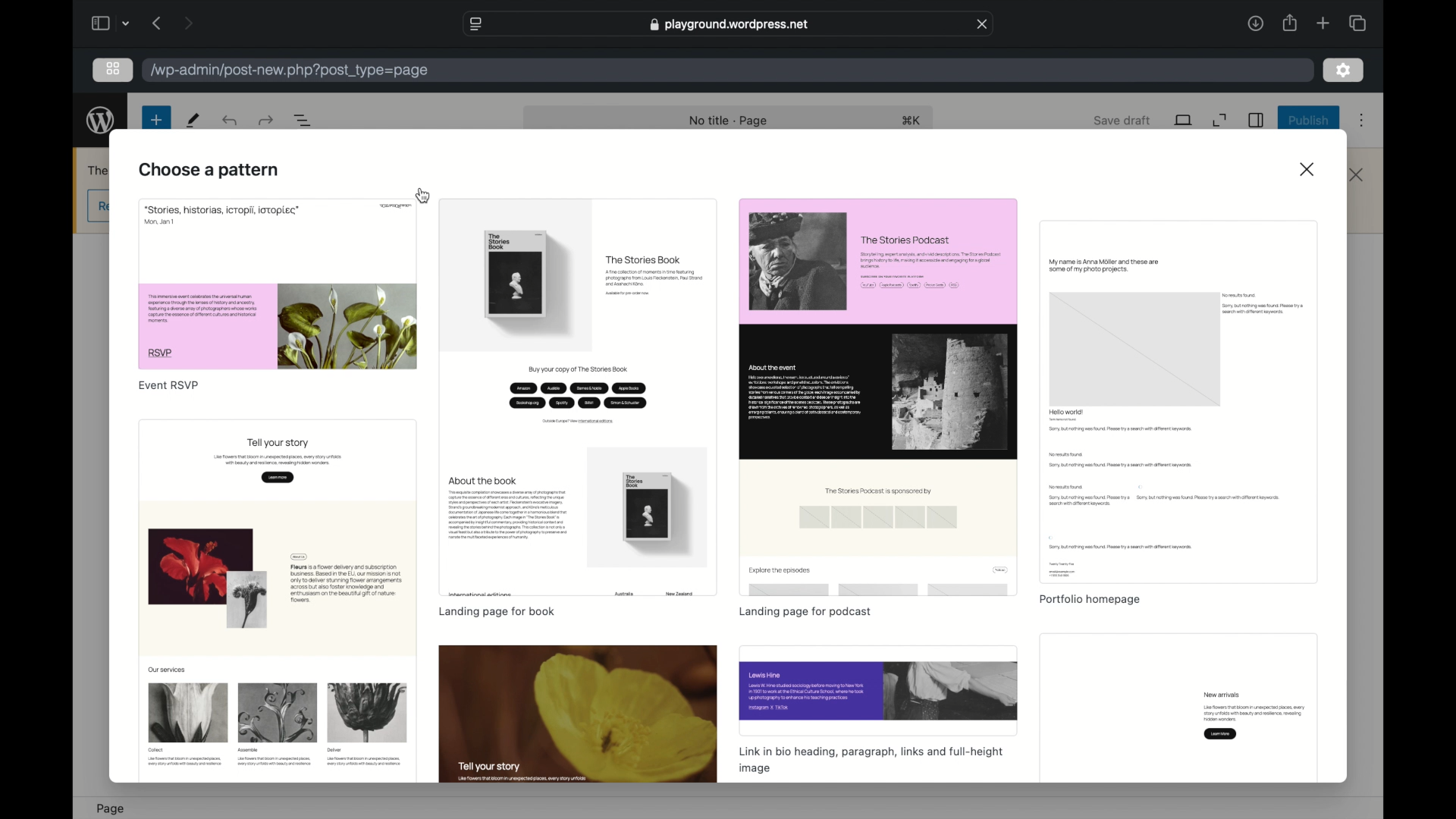 Image resolution: width=1456 pixels, height=819 pixels. What do you see at coordinates (1219, 121) in the screenshot?
I see `expand` at bounding box center [1219, 121].